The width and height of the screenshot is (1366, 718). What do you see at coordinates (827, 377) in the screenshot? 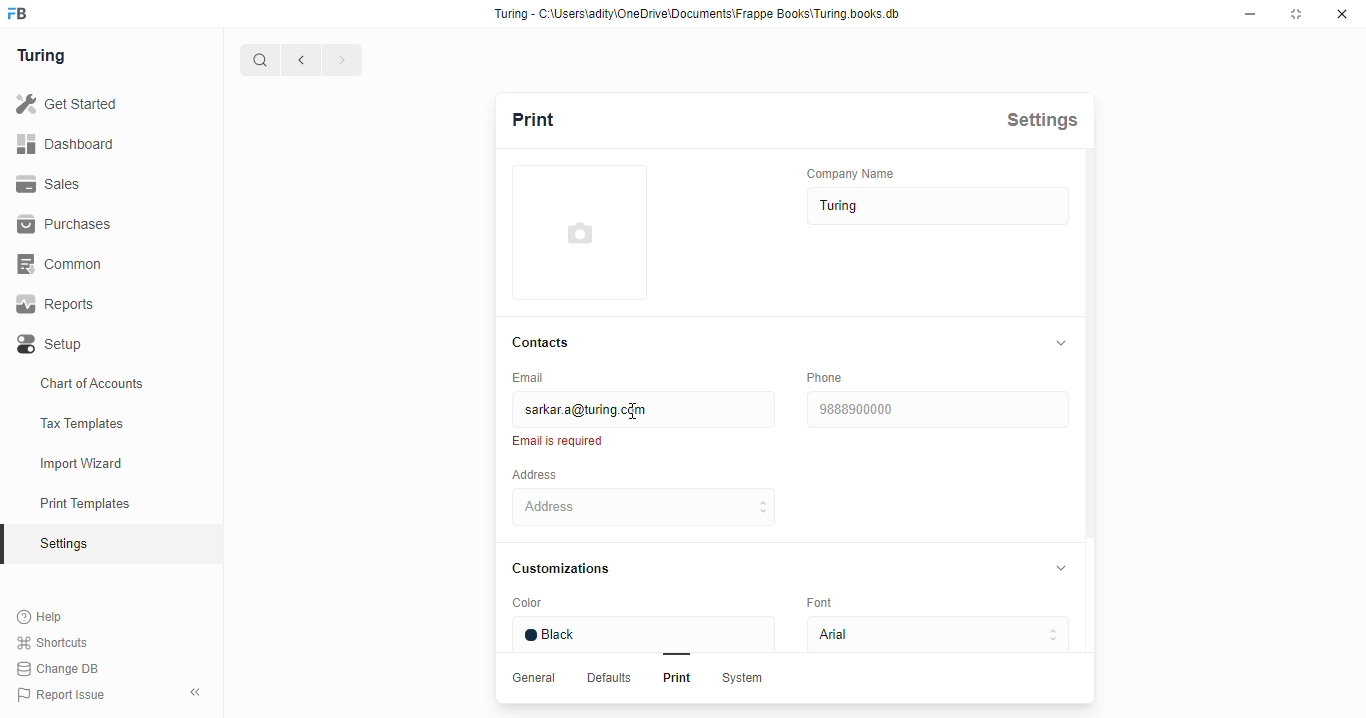
I see `‘Phone` at bounding box center [827, 377].